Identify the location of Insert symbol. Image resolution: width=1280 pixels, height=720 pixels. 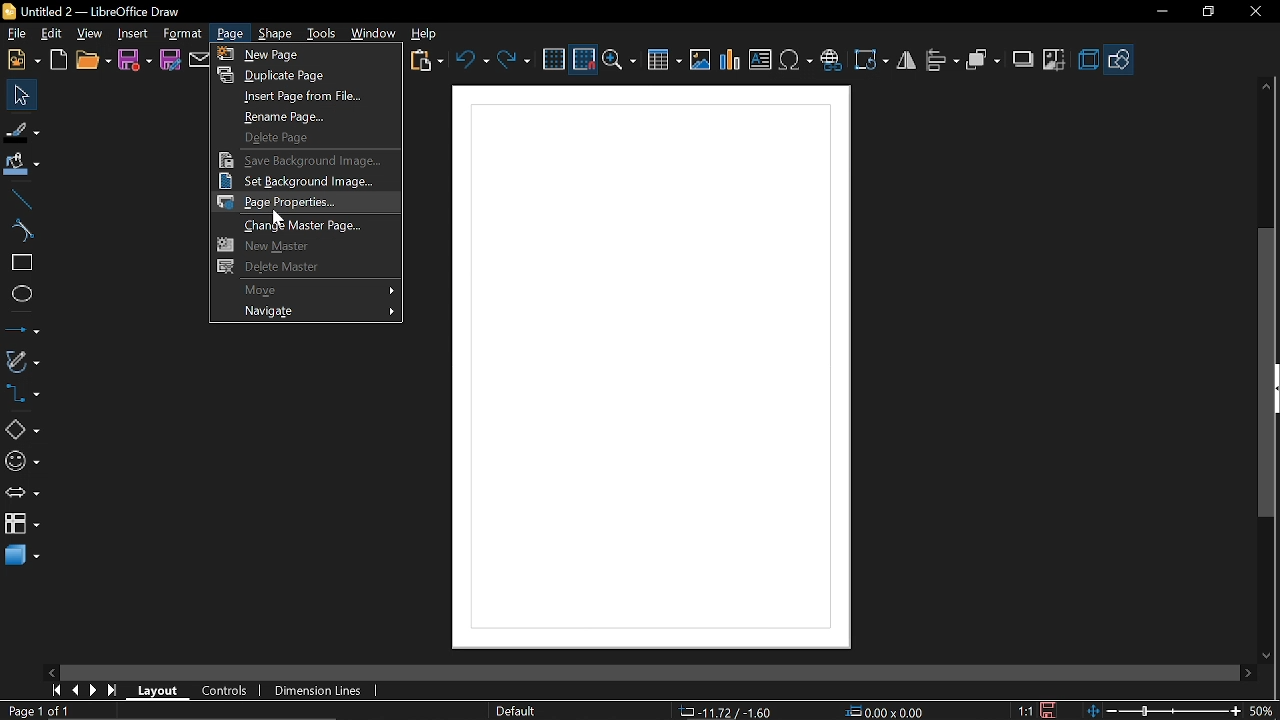
(796, 61).